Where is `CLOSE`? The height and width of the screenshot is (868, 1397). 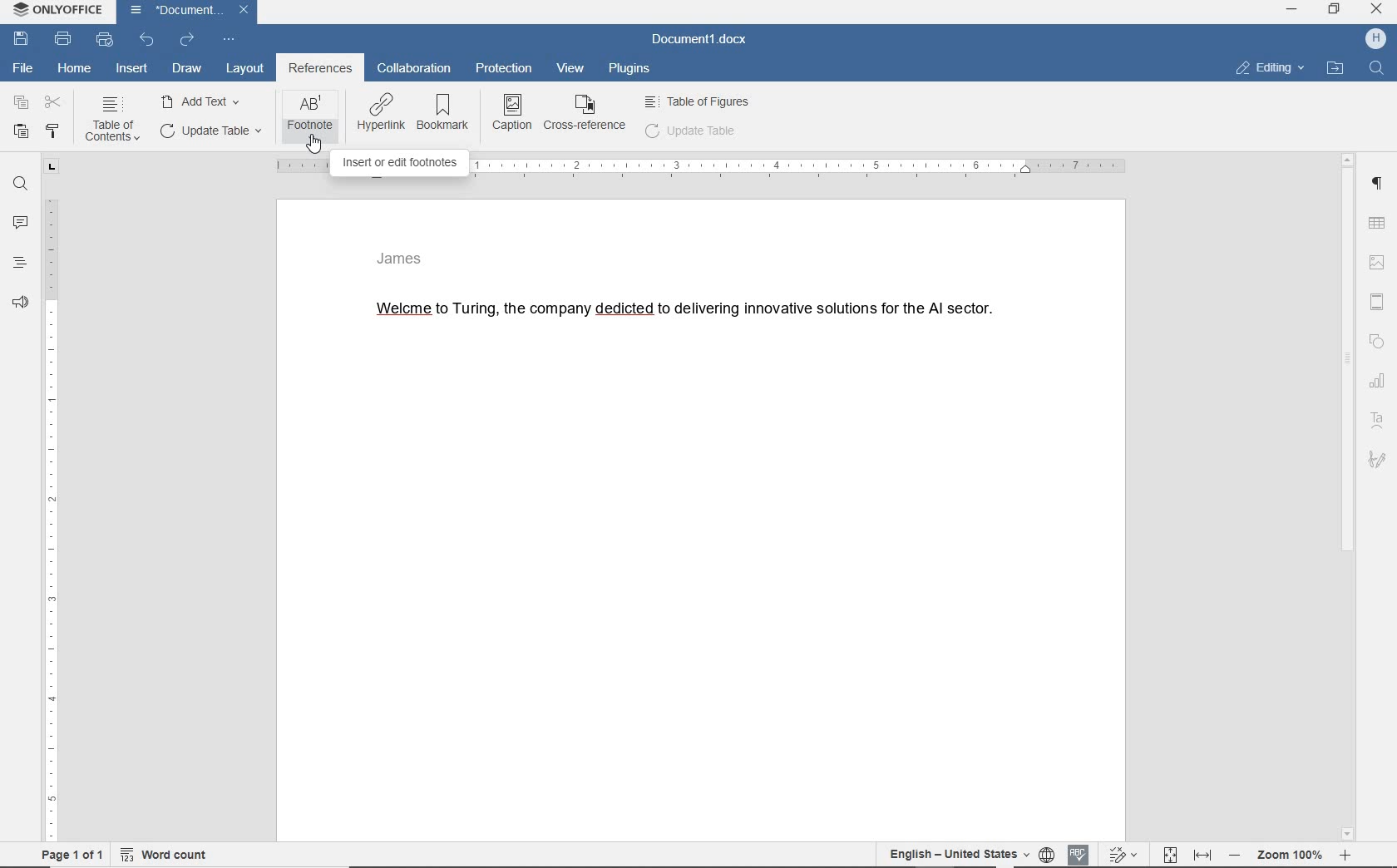 CLOSE is located at coordinates (1376, 11).